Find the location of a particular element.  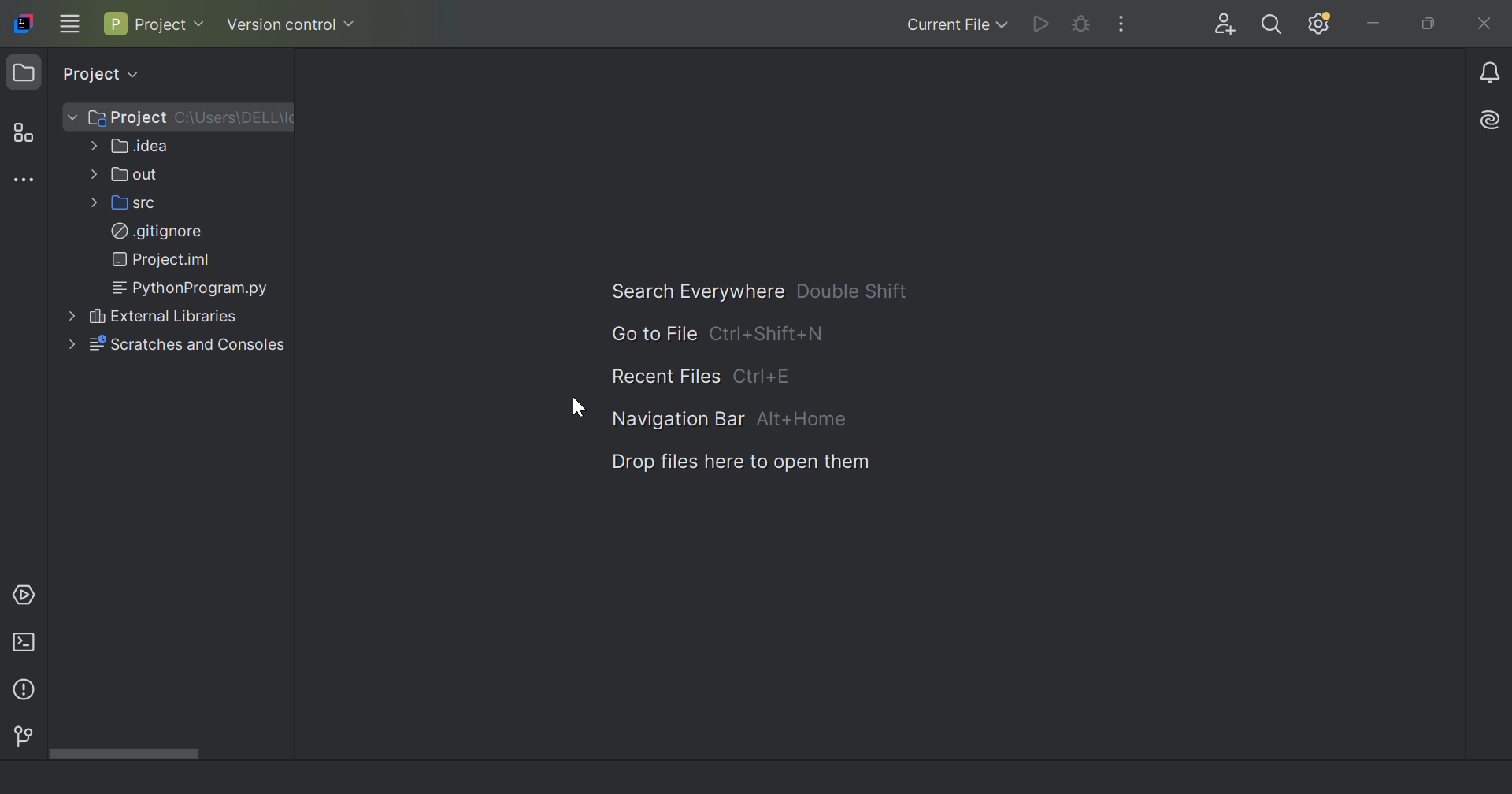

Project is located at coordinates (117, 118).